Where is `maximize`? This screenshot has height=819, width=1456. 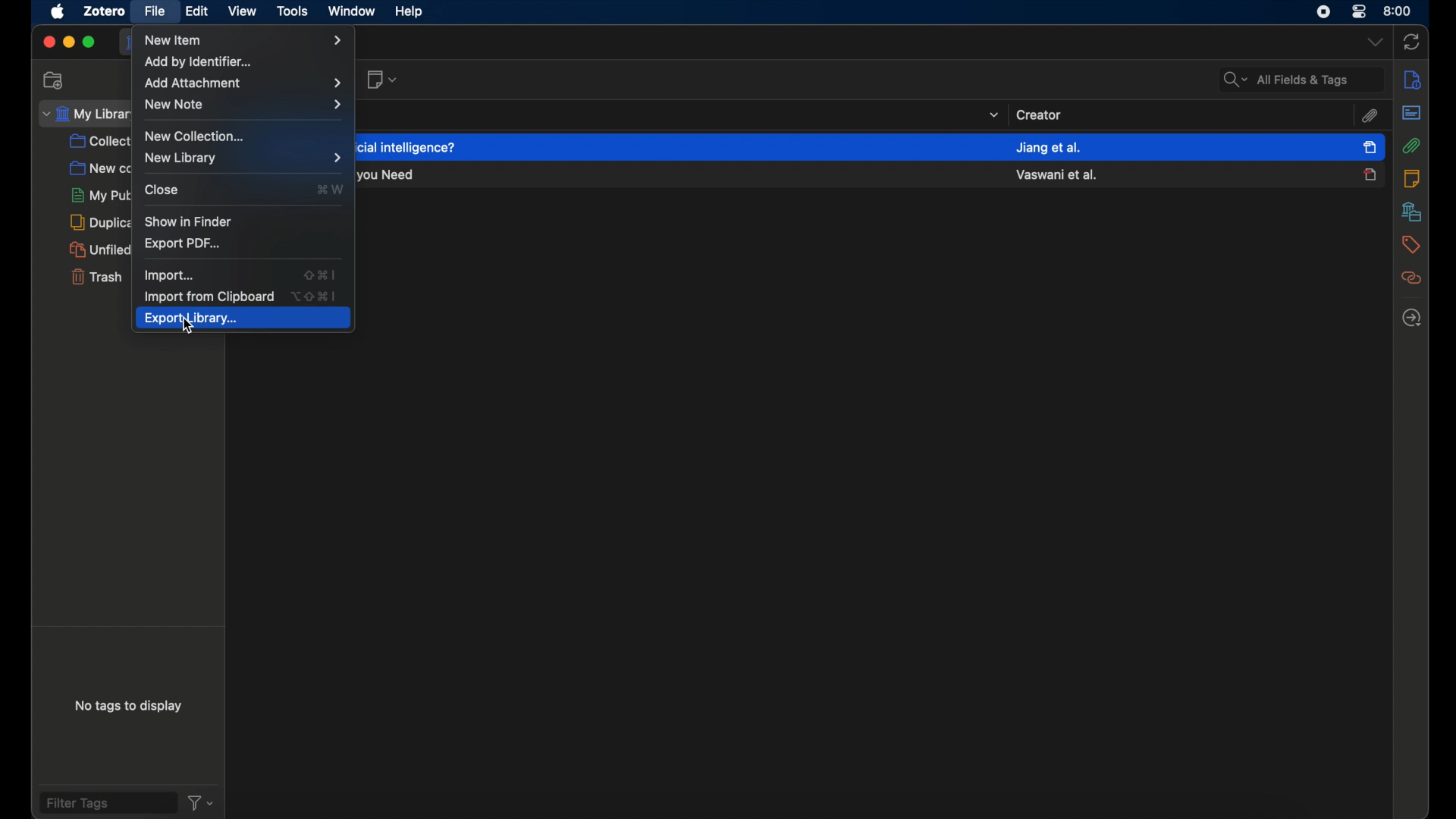 maximize is located at coordinates (90, 42).